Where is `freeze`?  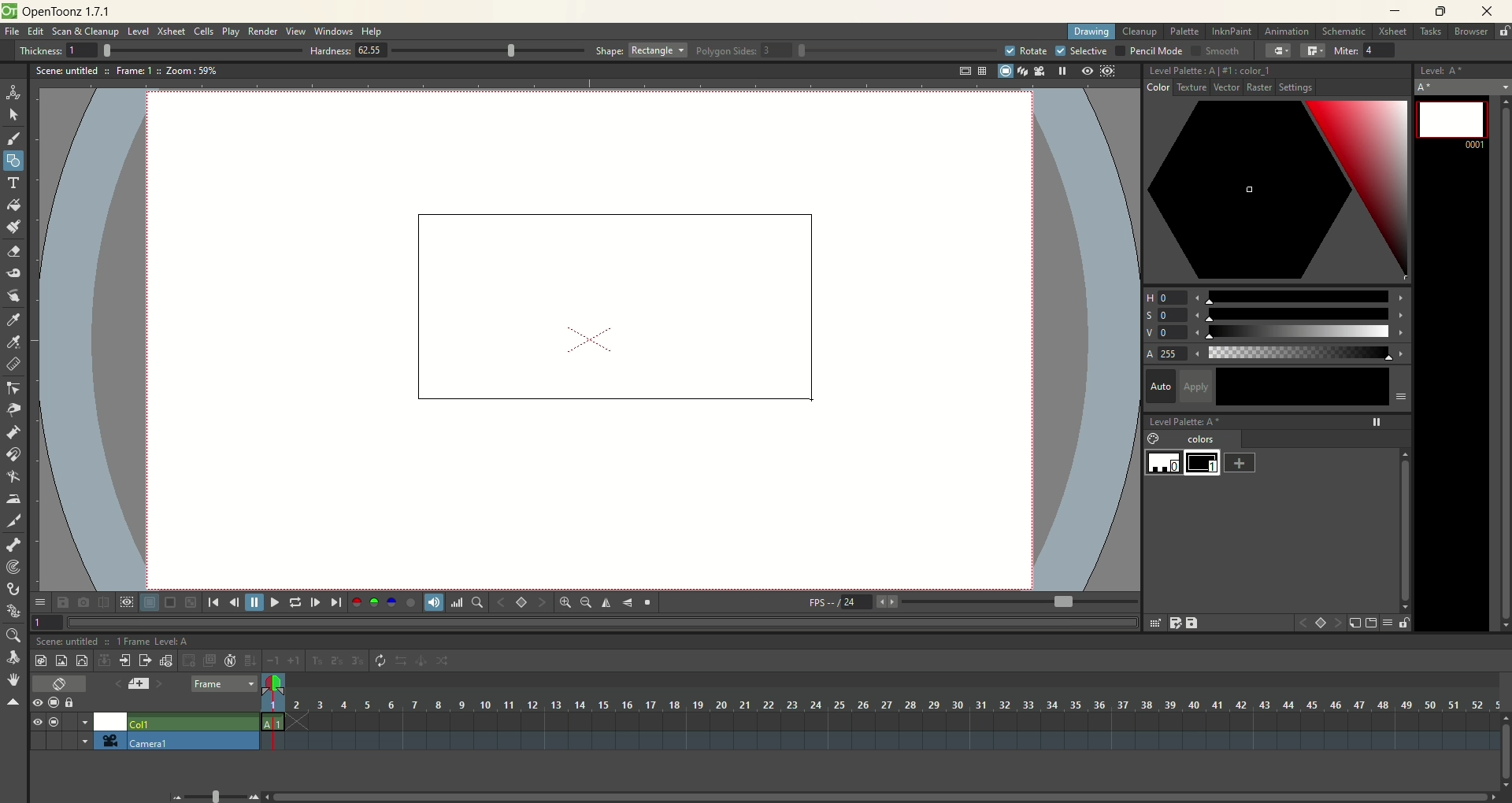
freeze is located at coordinates (1059, 71).